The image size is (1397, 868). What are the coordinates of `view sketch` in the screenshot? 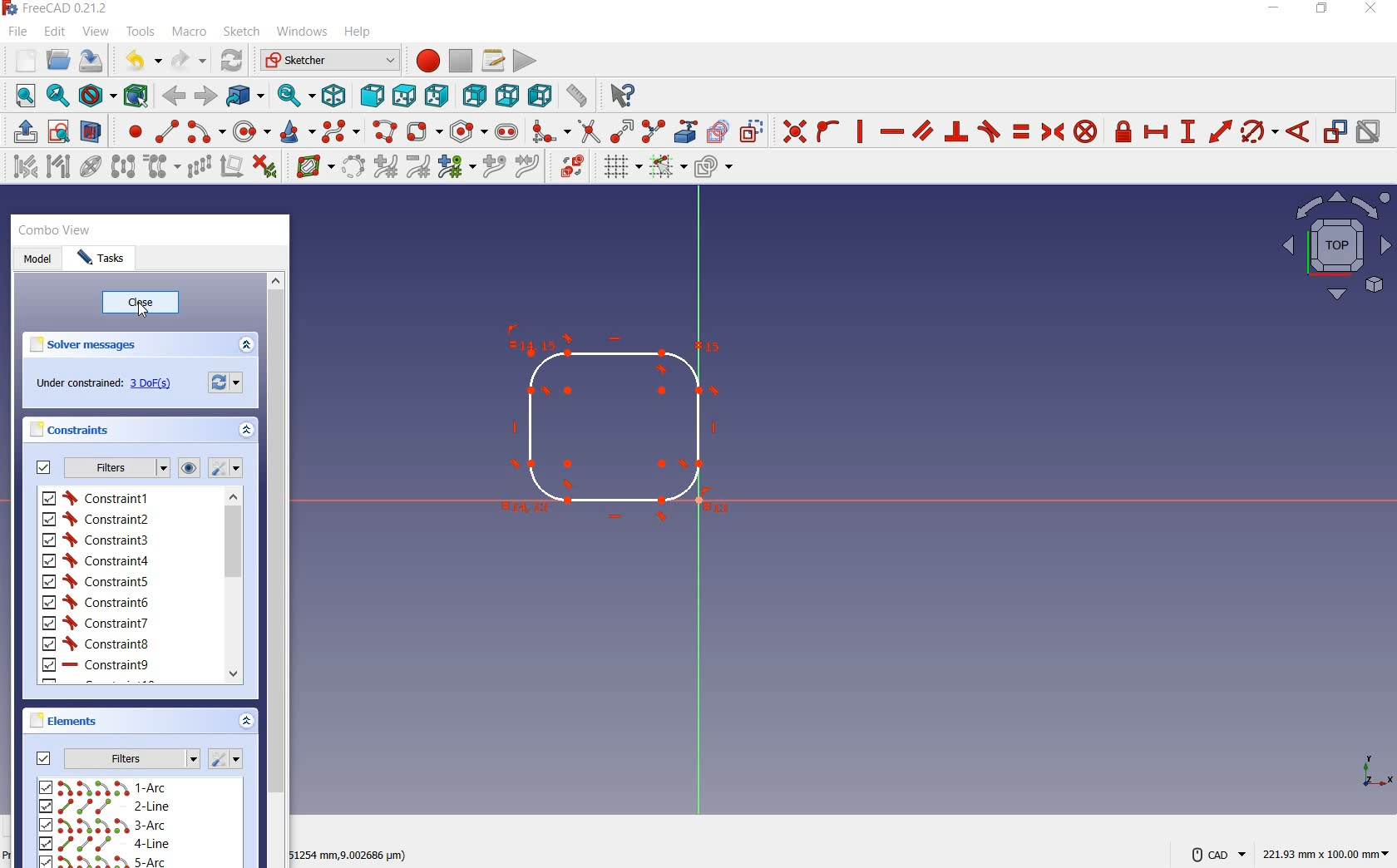 It's located at (59, 133).